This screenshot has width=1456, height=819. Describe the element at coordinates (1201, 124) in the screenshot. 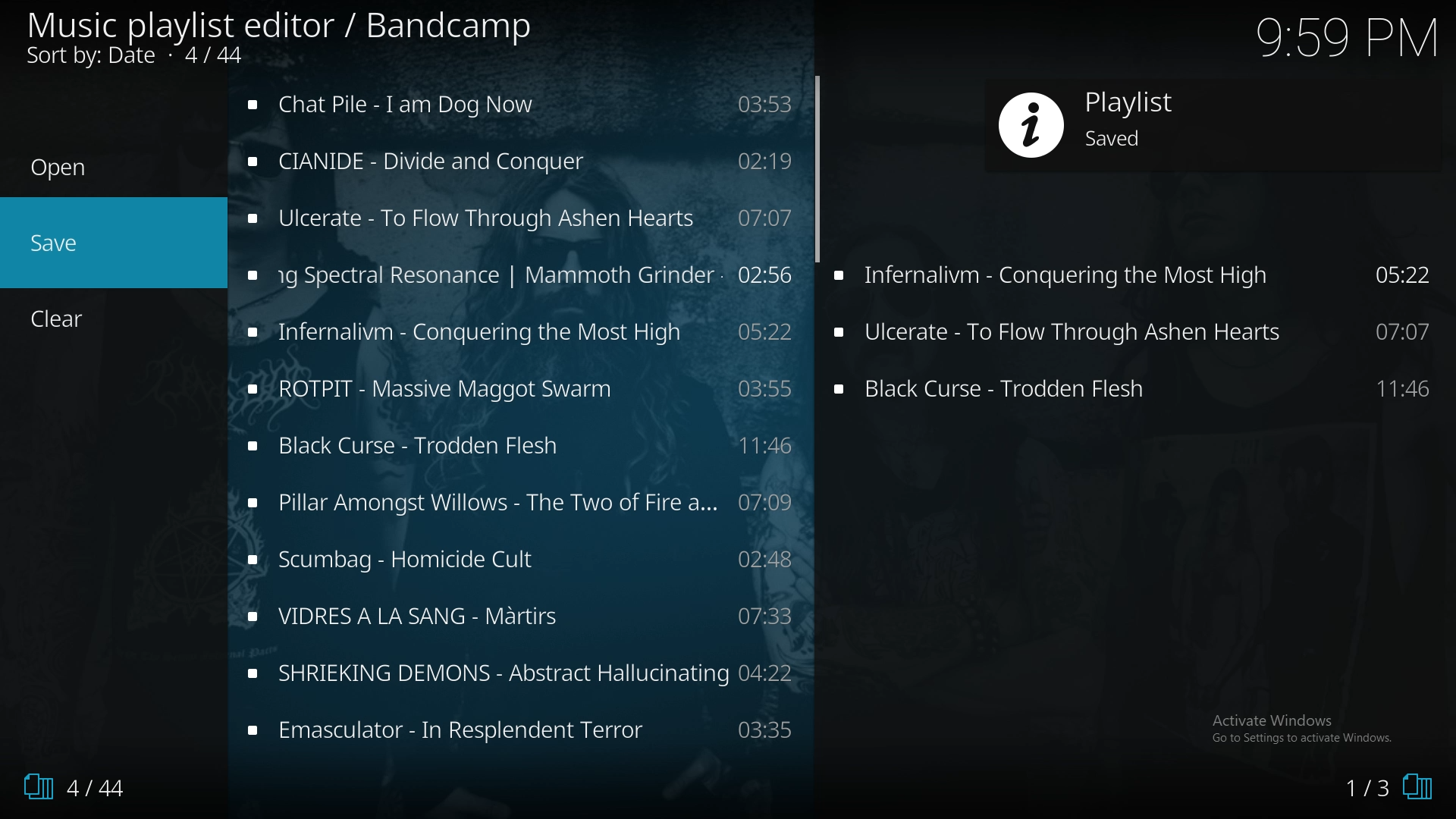

I see `playlist saved` at that location.